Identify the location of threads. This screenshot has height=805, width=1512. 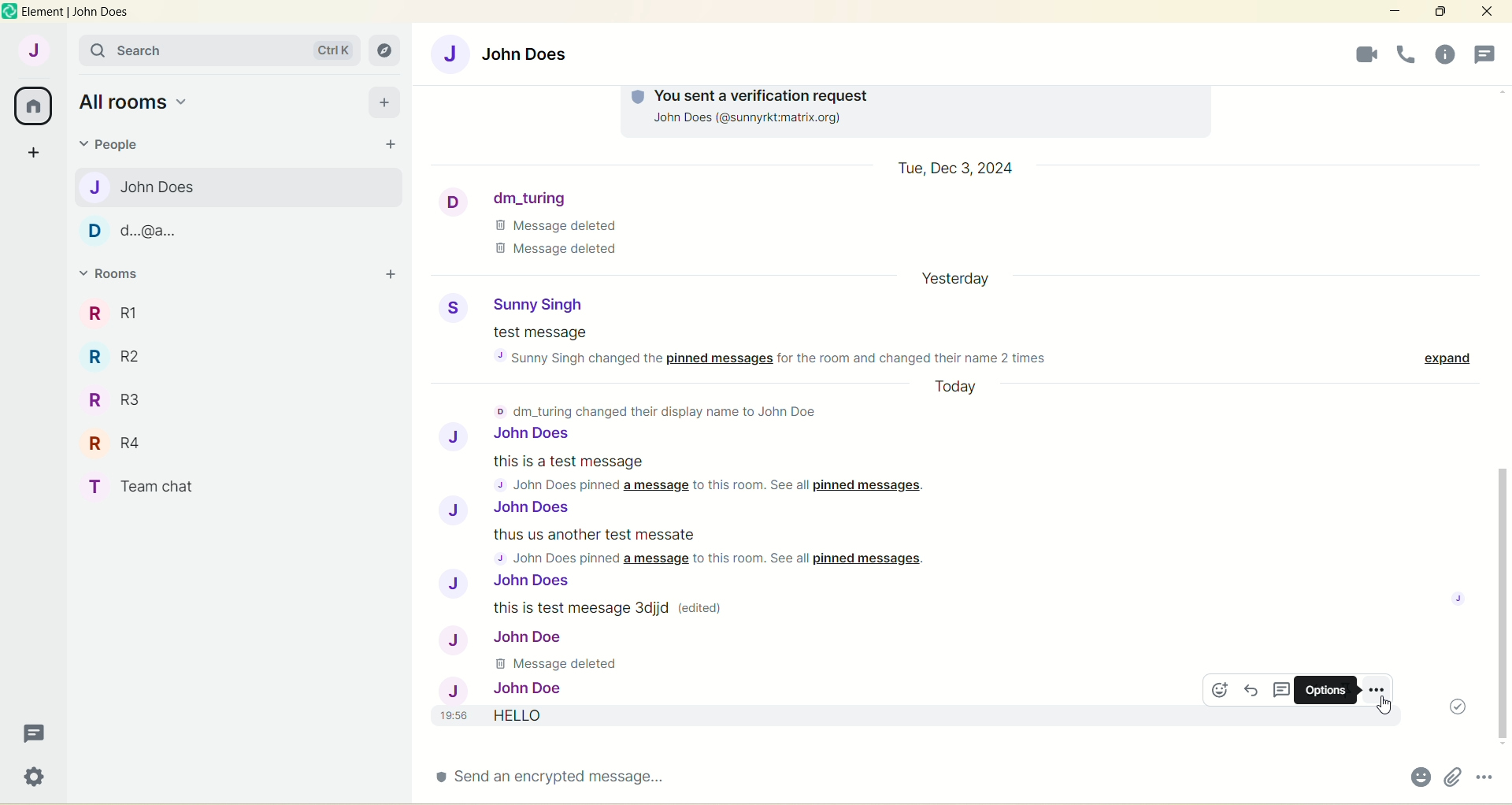
(31, 733).